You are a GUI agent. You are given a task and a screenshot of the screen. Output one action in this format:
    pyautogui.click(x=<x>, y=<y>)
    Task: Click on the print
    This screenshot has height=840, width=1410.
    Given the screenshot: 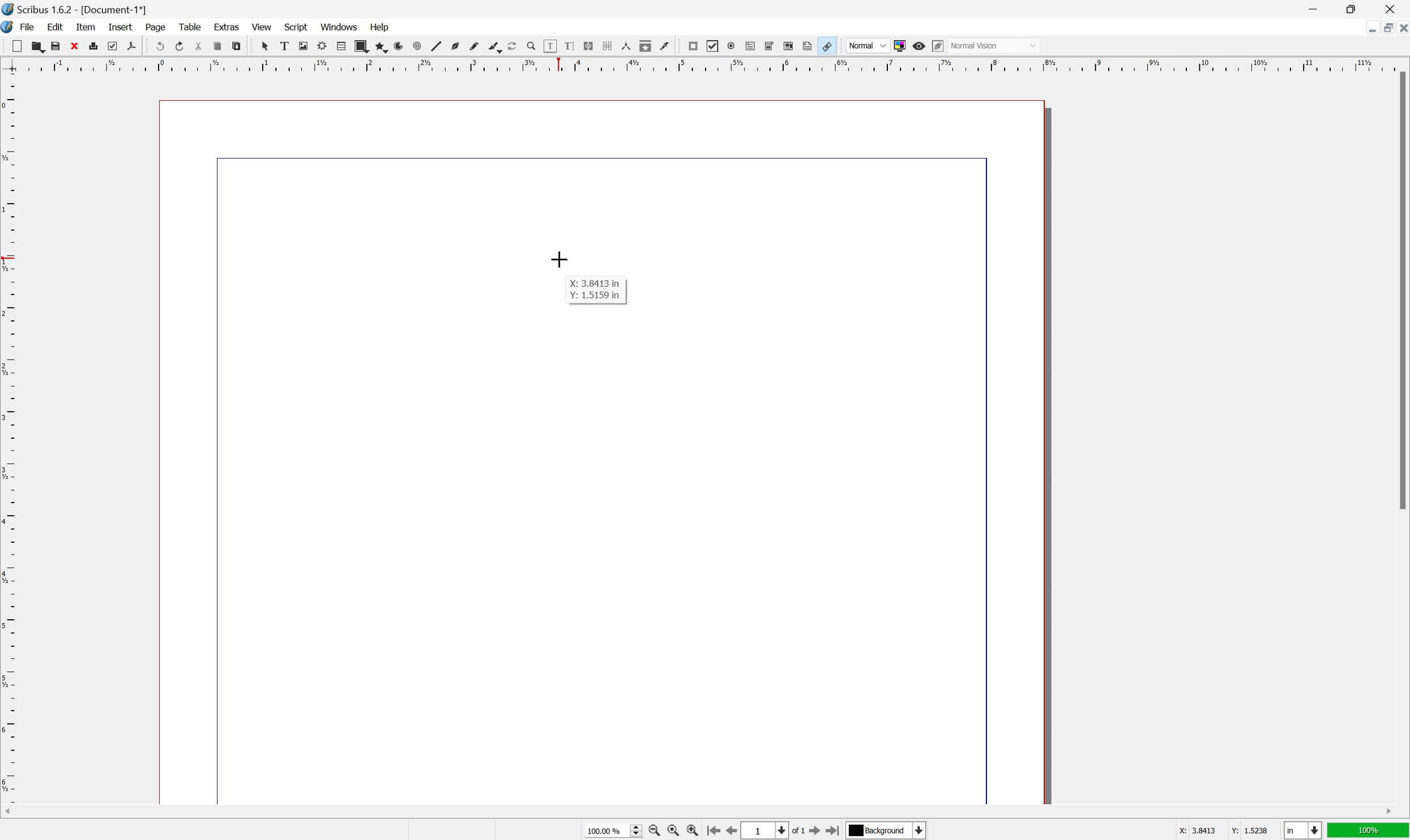 What is the action you would take?
    pyautogui.click(x=93, y=45)
    